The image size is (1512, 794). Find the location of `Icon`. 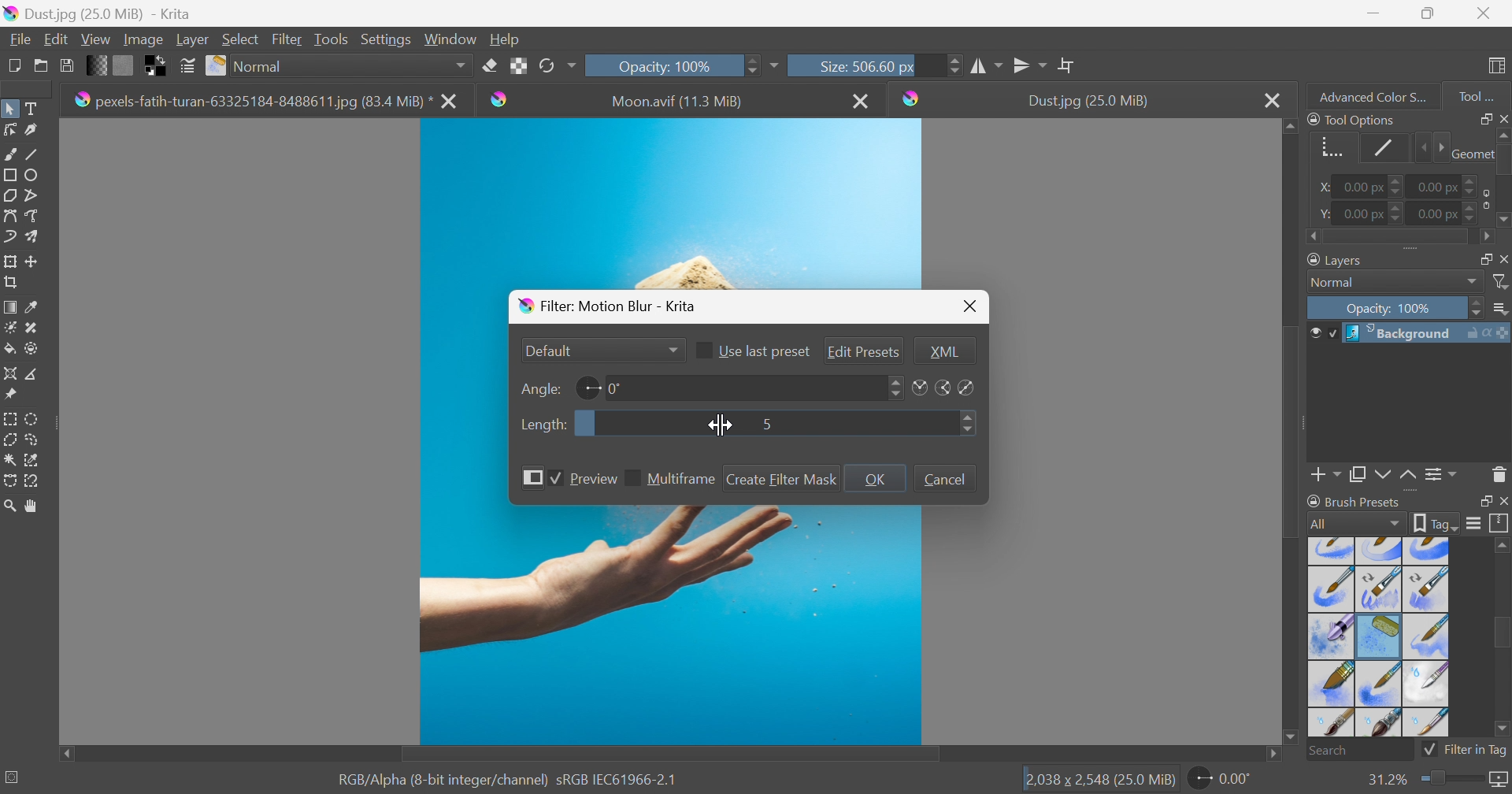

Icon is located at coordinates (1483, 198).